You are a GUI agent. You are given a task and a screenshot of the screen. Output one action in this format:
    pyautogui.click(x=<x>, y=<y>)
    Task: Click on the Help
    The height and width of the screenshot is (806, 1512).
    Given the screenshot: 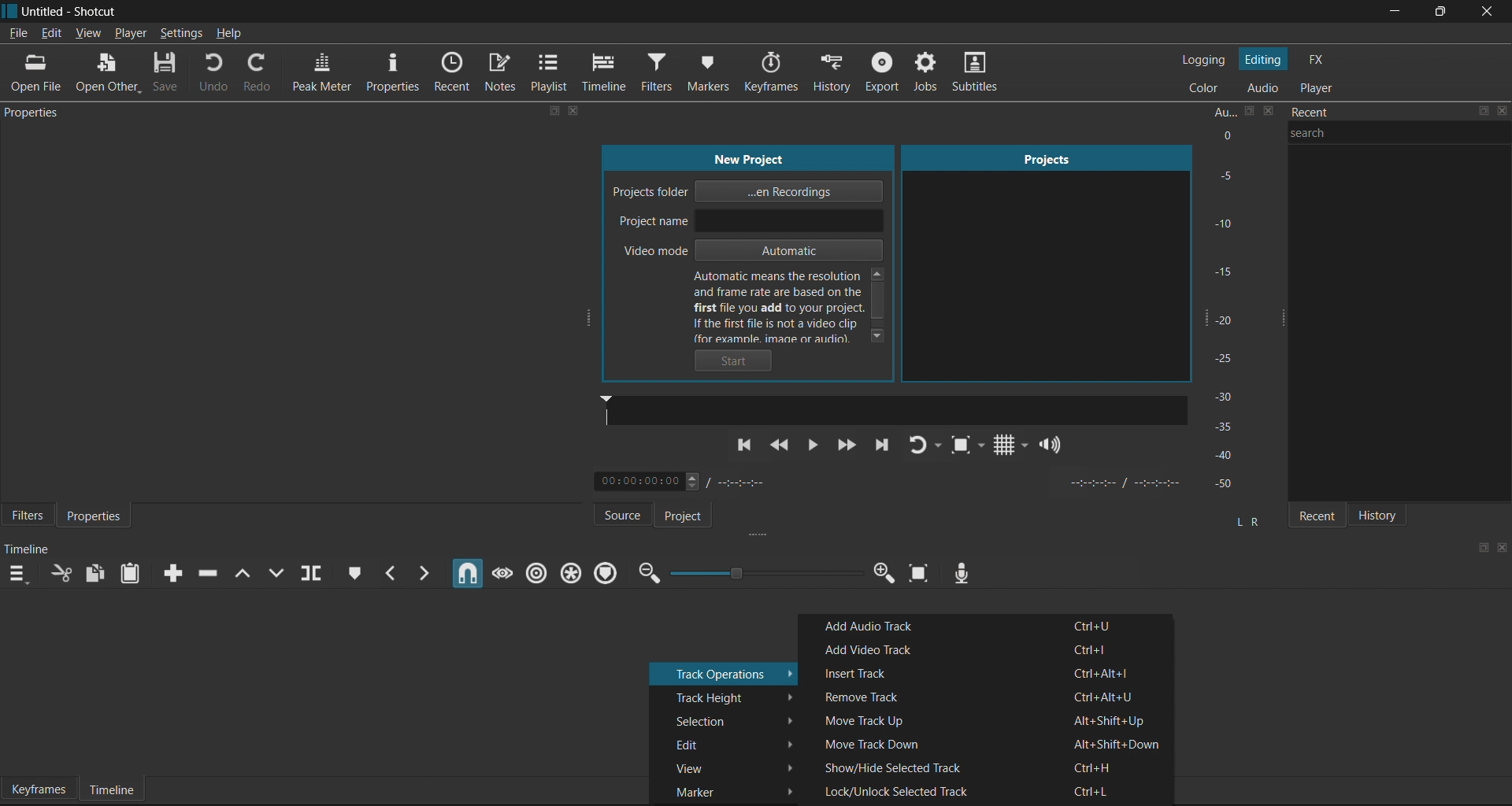 What is the action you would take?
    pyautogui.click(x=230, y=35)
    